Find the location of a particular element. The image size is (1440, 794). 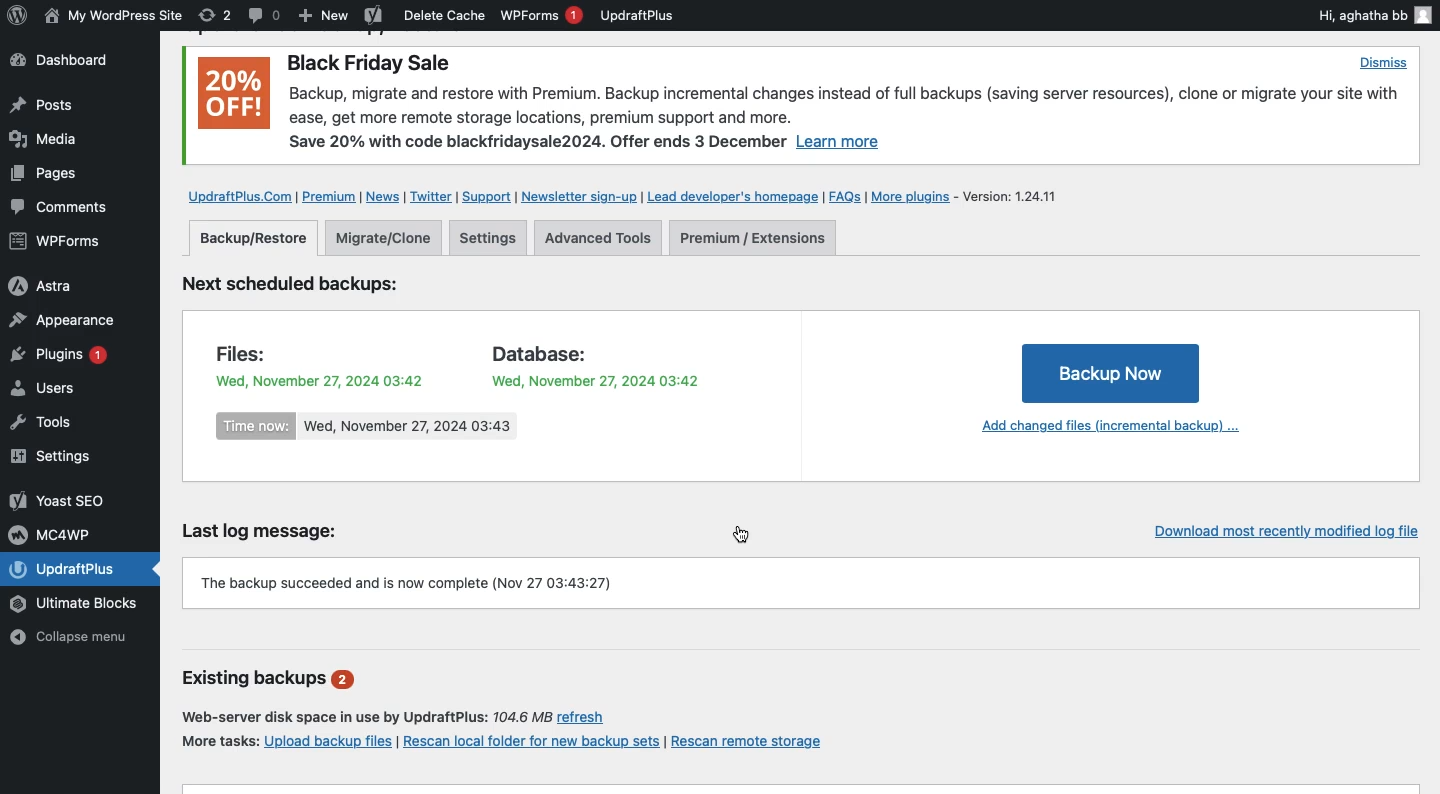

Premium  is located at coordinates (333, 197).